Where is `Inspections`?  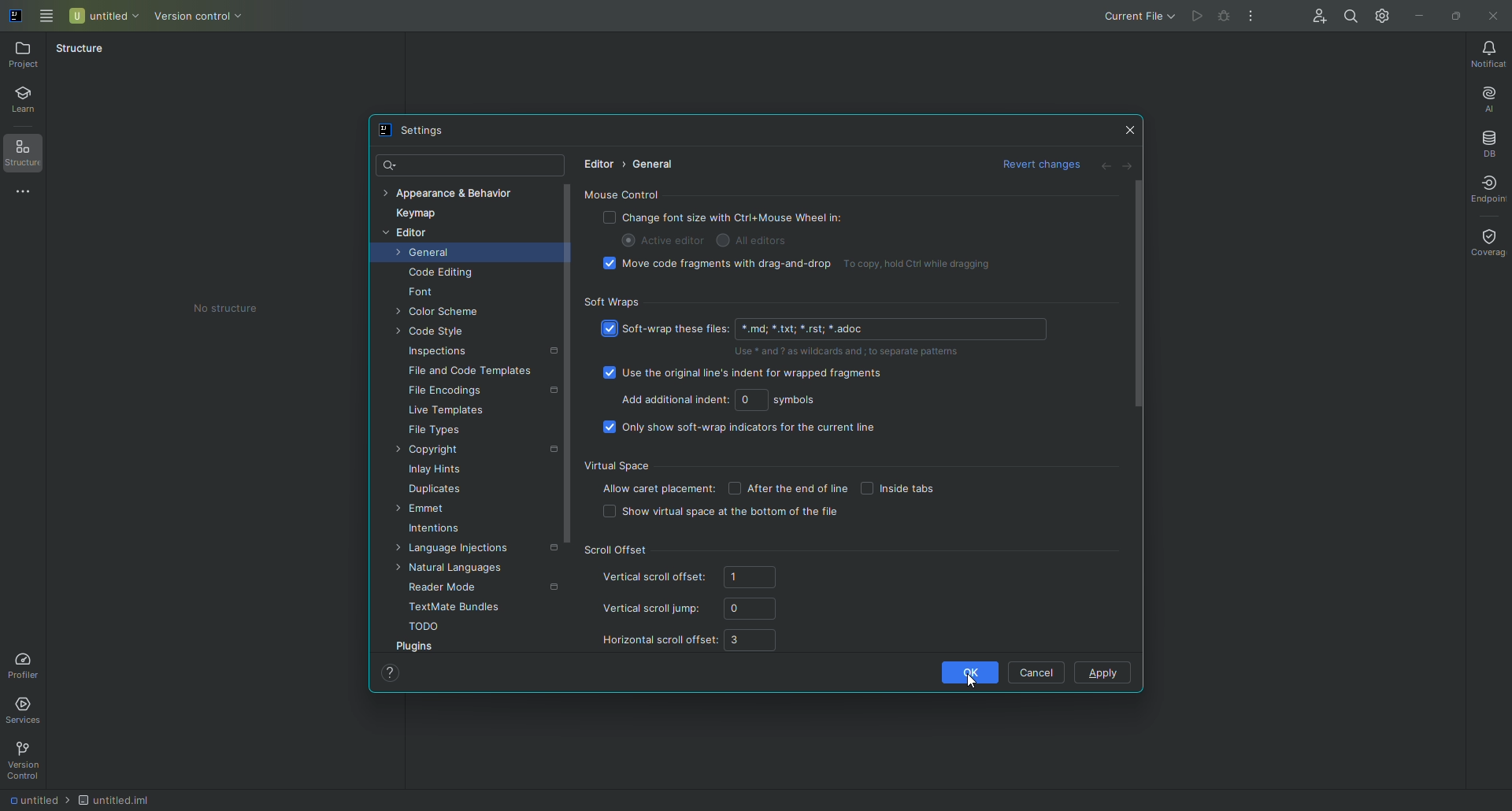
Inspections is located at coordinates (439, 352).